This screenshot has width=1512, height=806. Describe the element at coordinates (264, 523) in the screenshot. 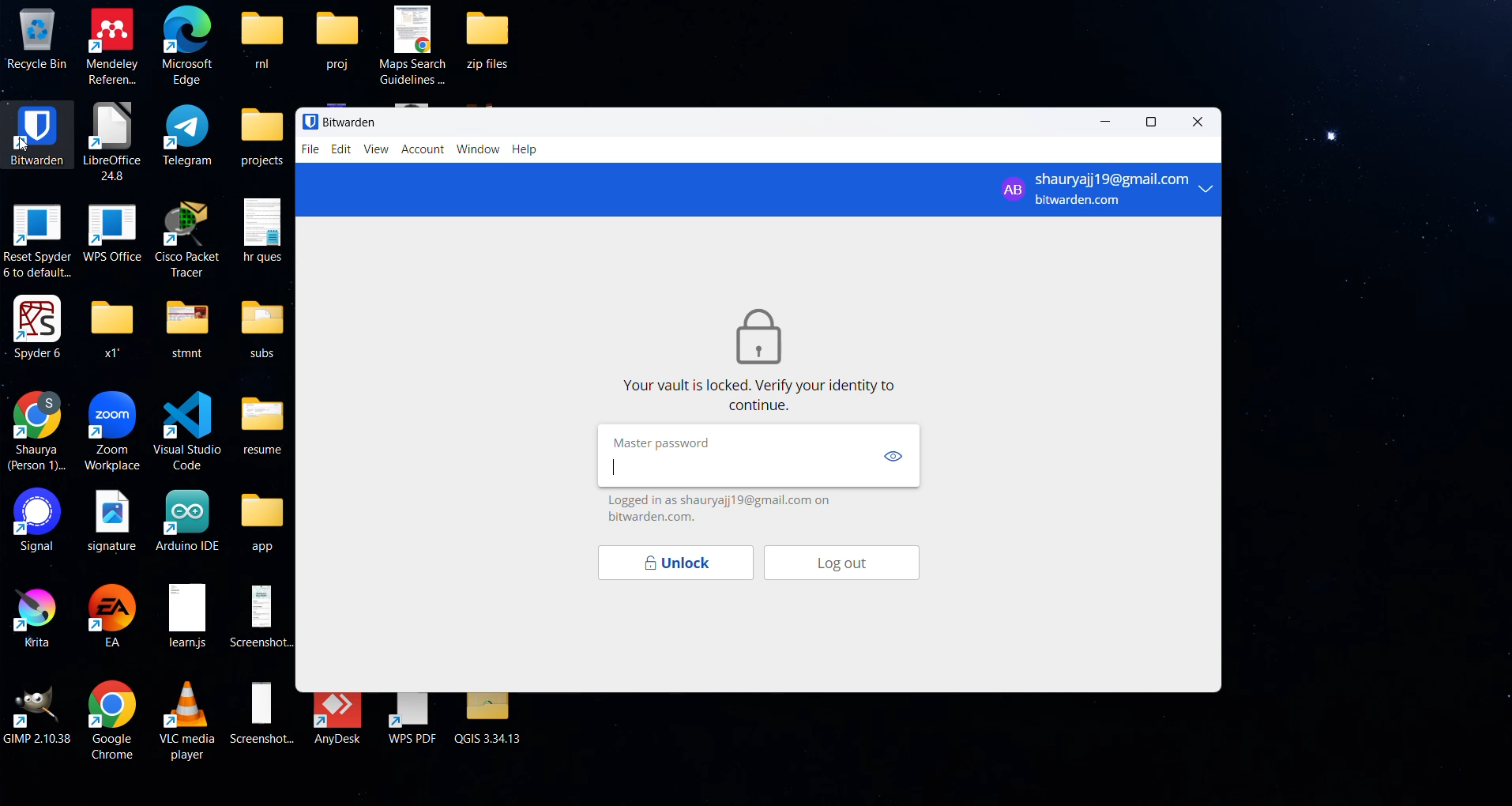

I see `app` at that location.